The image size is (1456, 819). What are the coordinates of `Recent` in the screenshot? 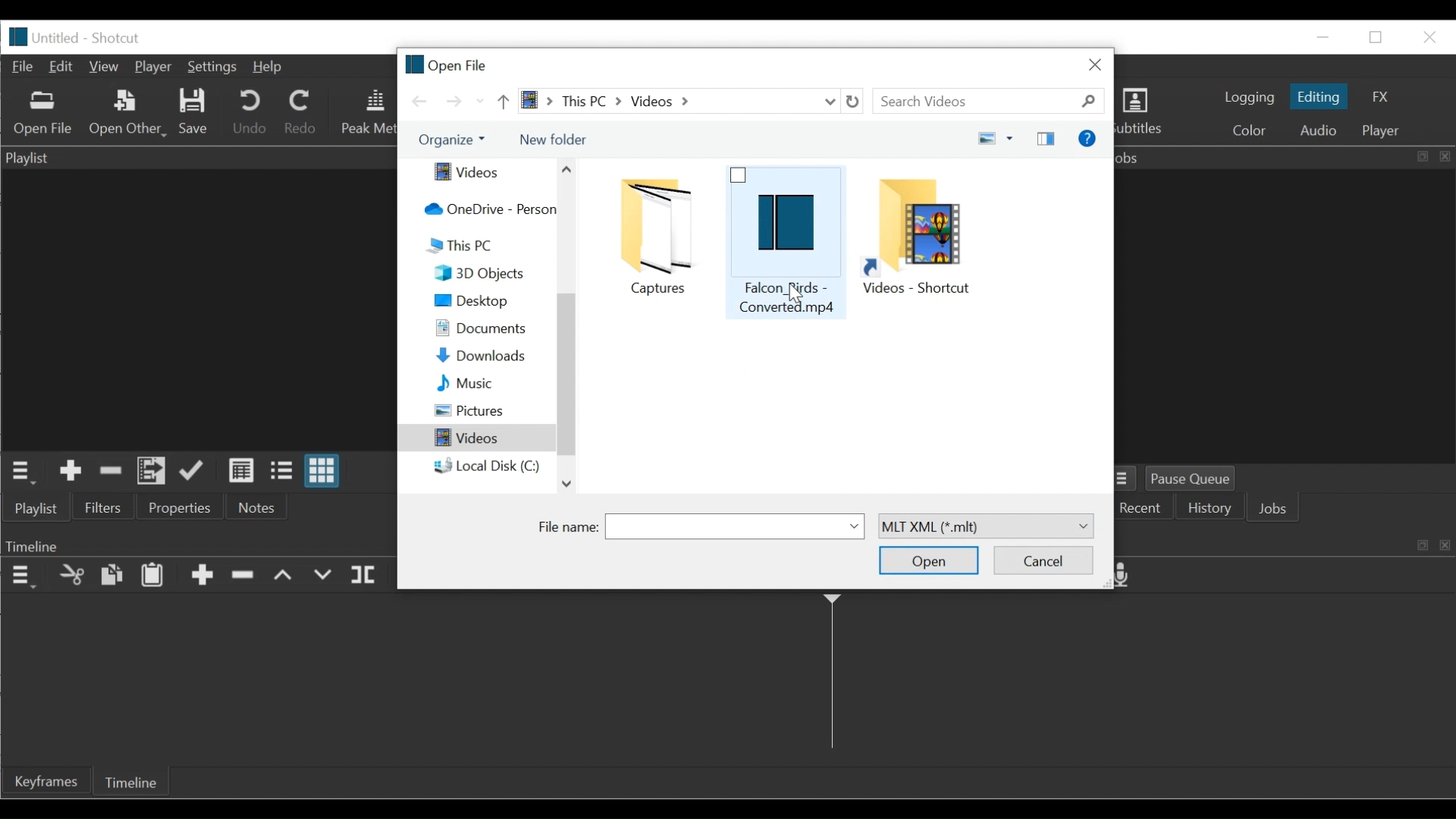 It's located at (1143, 509).